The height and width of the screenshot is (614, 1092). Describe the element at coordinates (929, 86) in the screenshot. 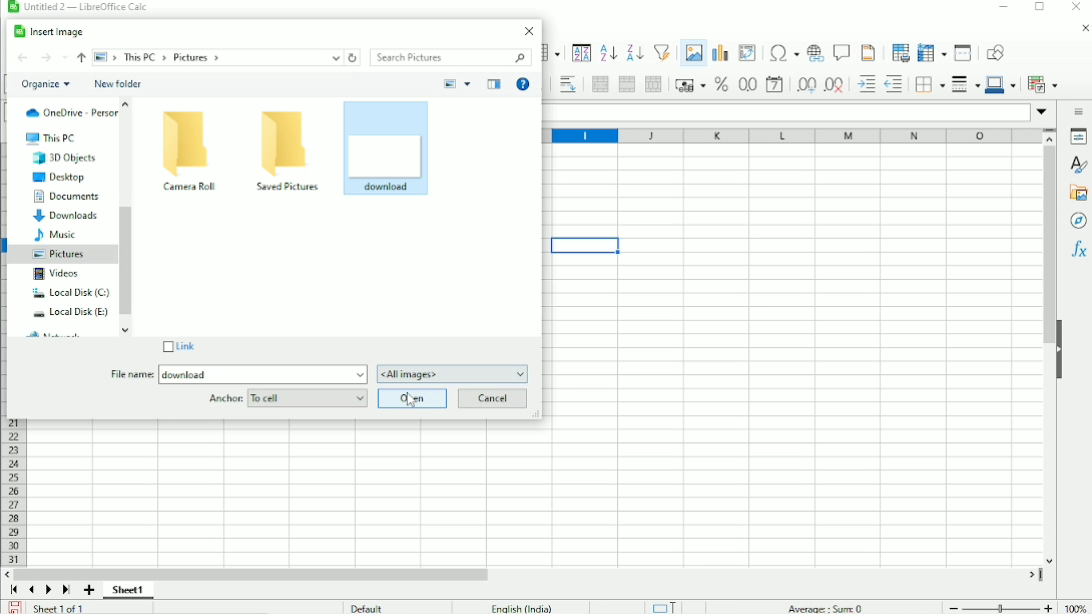

I see `Borders` at that location.